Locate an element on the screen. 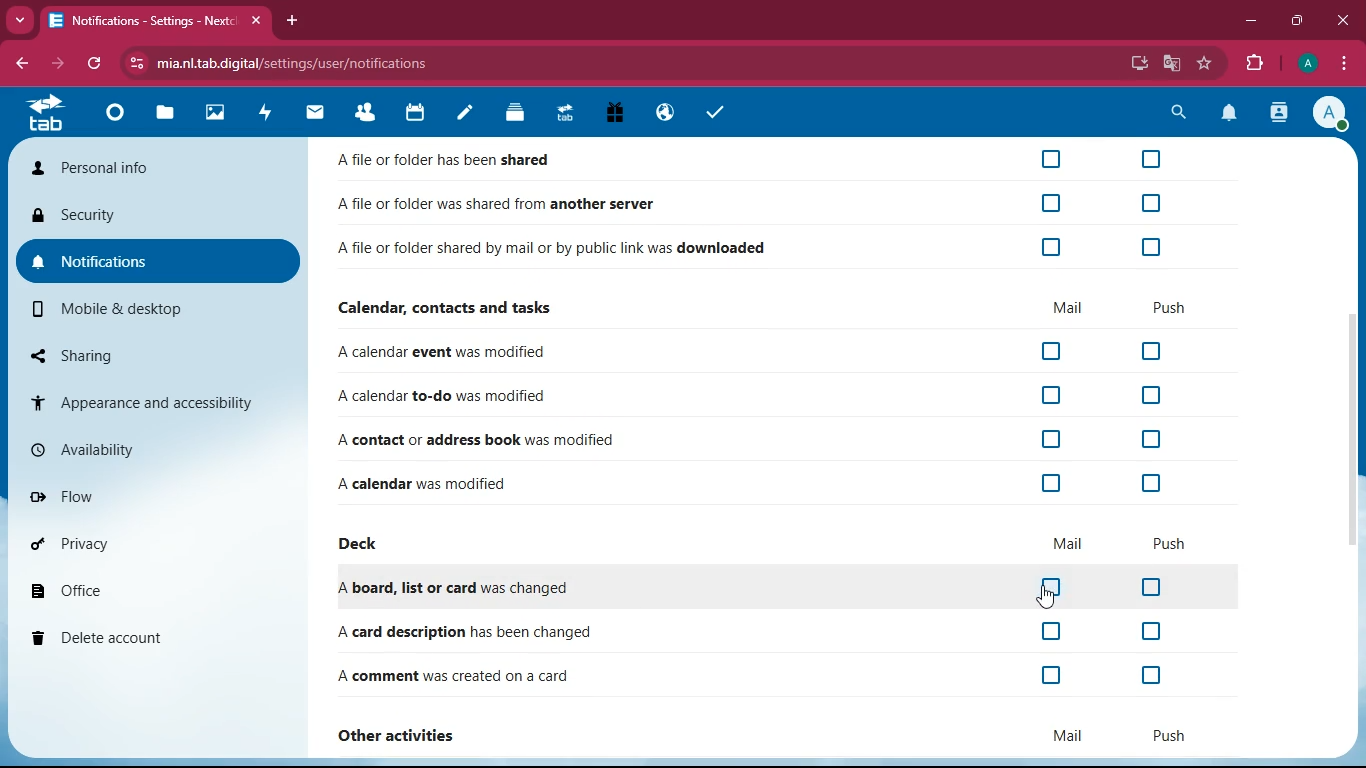 The image size is (1366, 768). office is located at coordinates (155, 592).